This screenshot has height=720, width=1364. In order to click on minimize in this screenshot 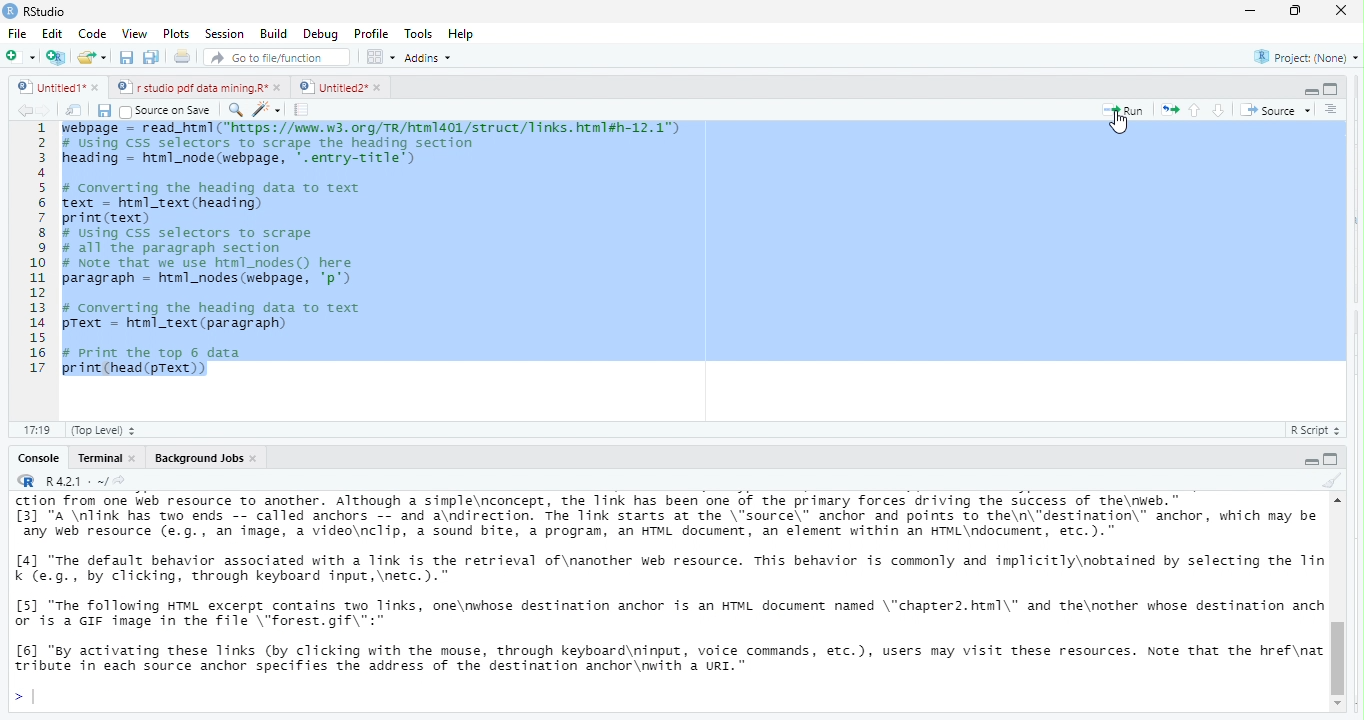, I will do `click(1292, 13)`.